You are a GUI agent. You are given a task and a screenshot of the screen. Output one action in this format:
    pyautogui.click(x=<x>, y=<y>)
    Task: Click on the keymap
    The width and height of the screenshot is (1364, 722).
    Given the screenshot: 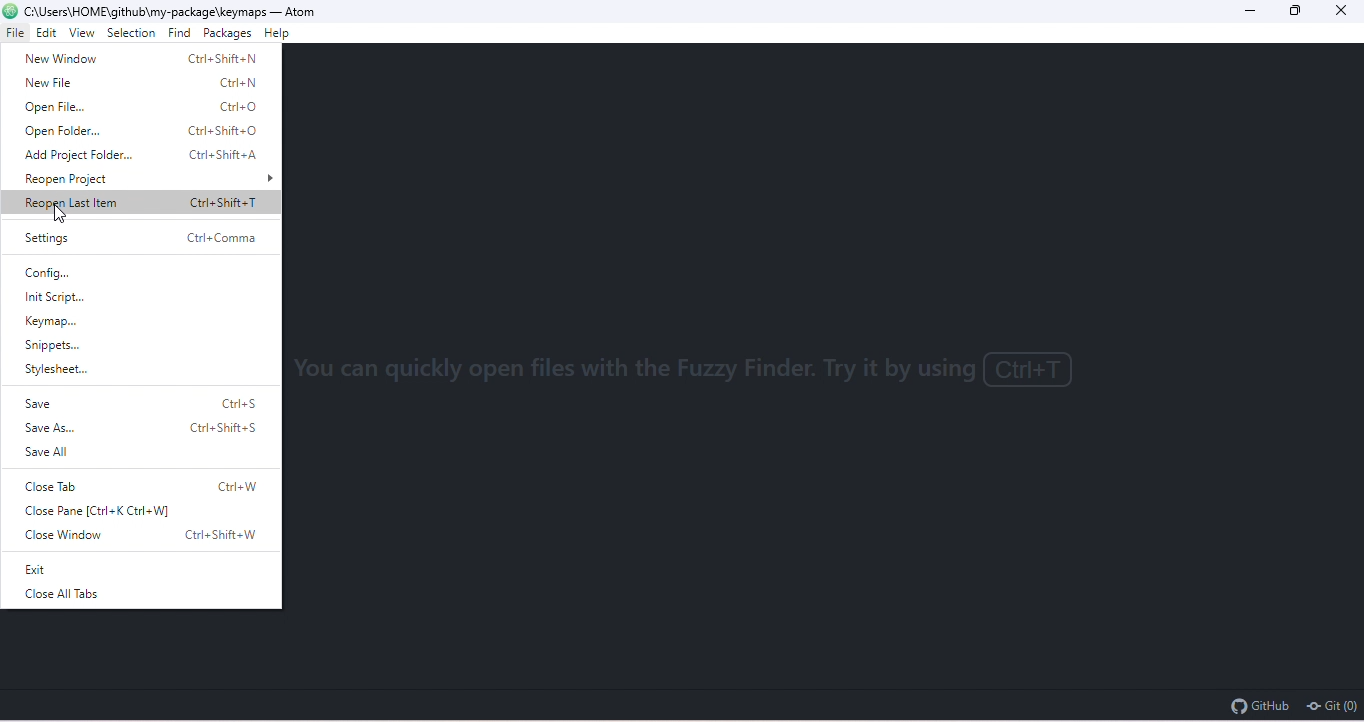 What is the action you would take?
    pyautogui.click(x=77, y=320)
    